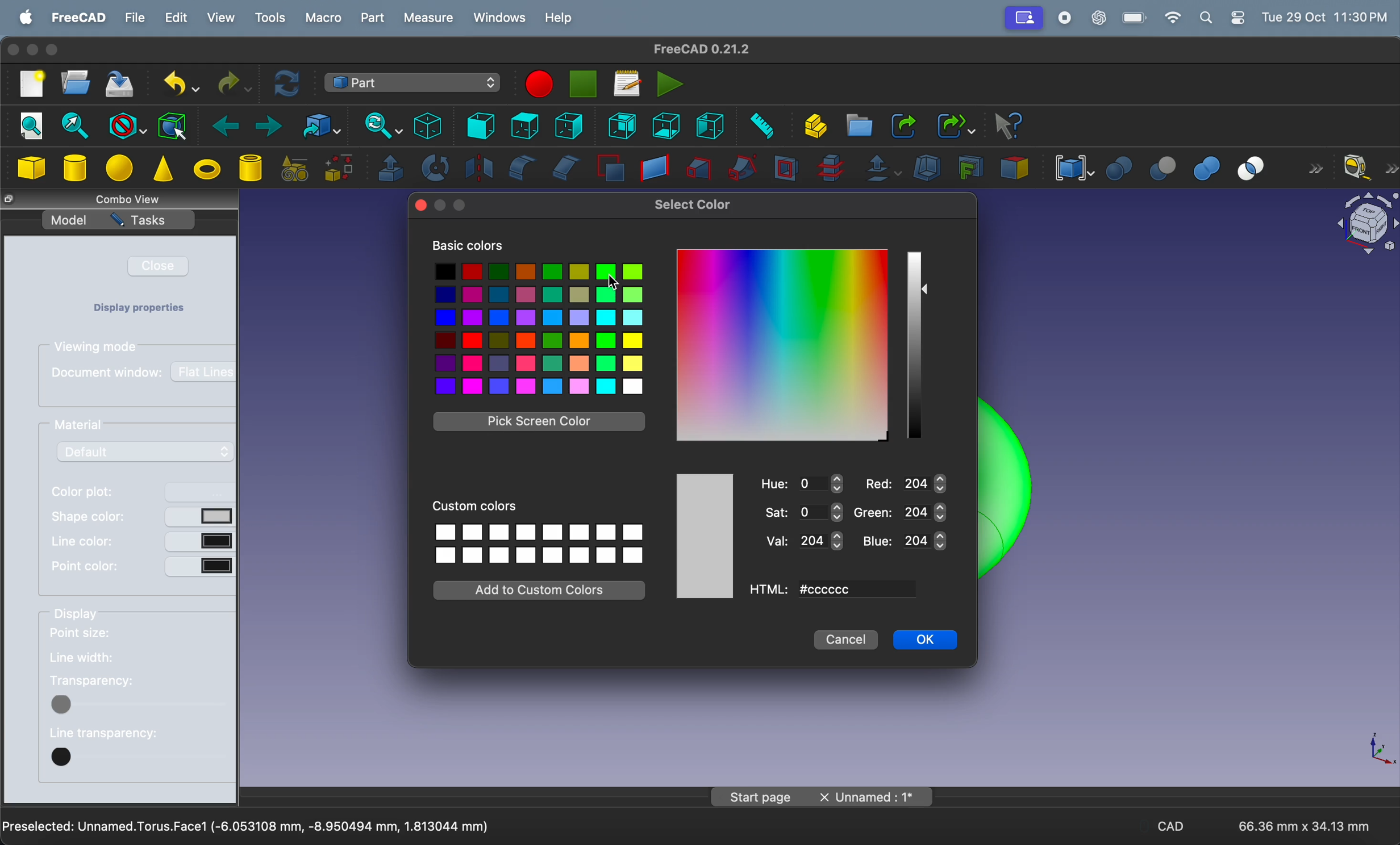 The height and width of the screenshot is (845, 1400). I want to click on make face from wires, so click(610, 170).